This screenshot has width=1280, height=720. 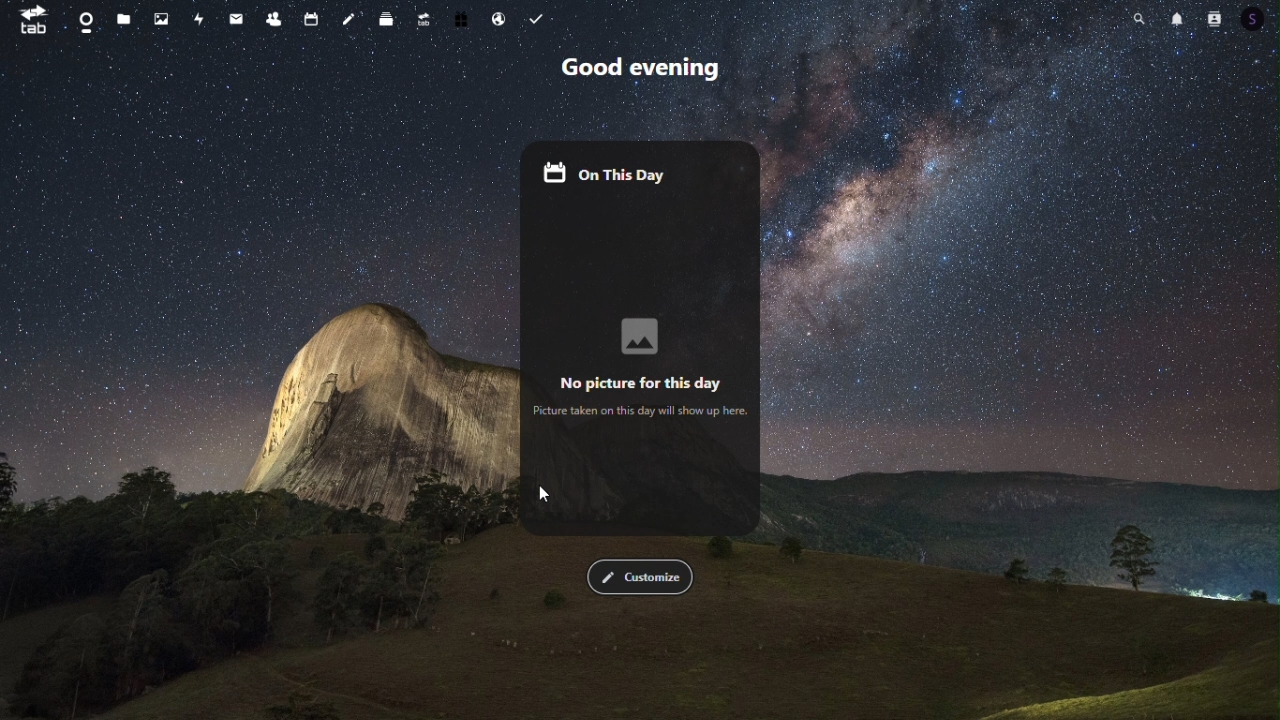 I want to click on On this day widget enabled, so click(x=607, y=164).